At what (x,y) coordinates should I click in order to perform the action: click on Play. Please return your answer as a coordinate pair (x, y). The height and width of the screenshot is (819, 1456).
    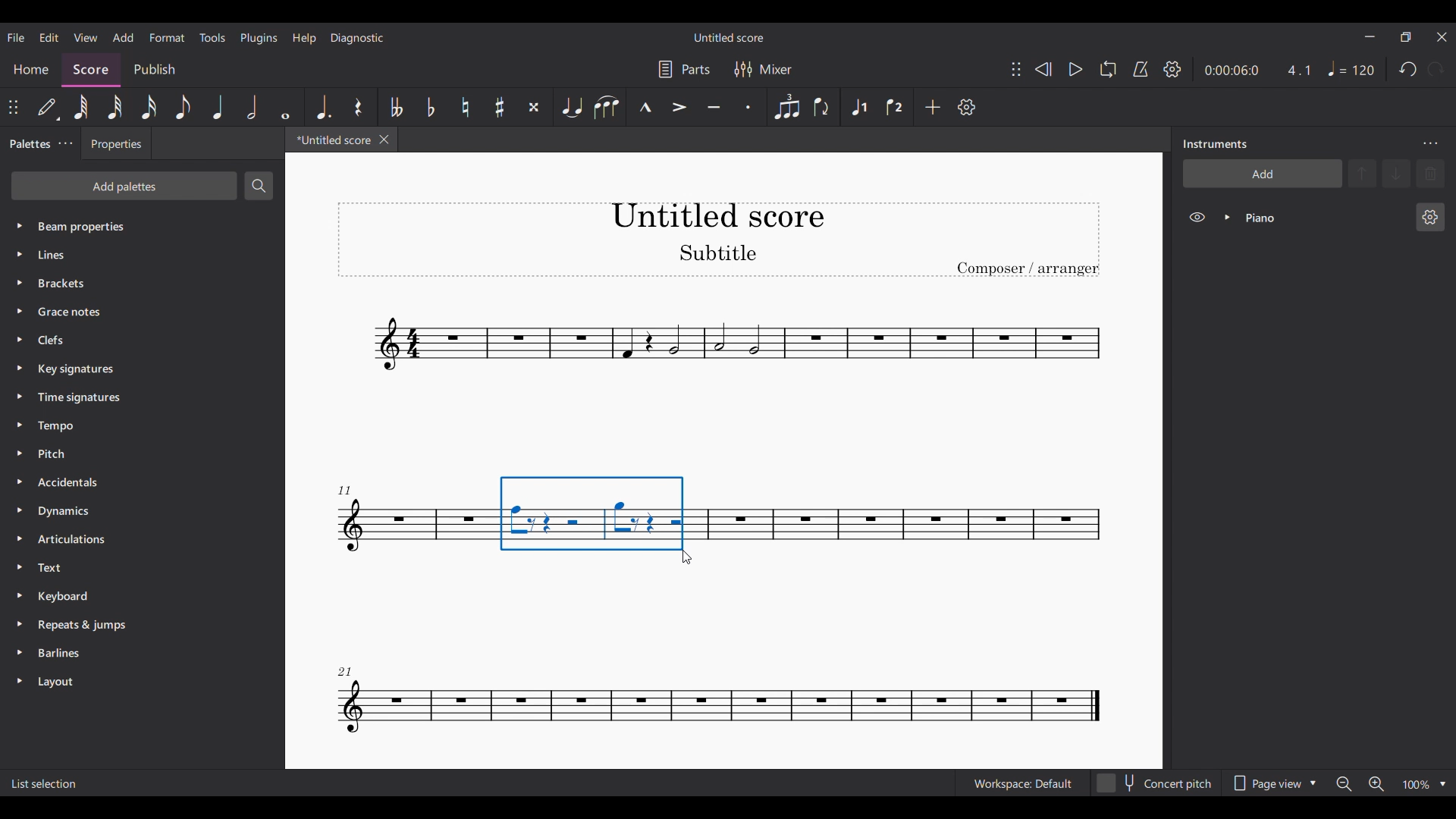
    Looking at the image, I should click on (1075, 69).